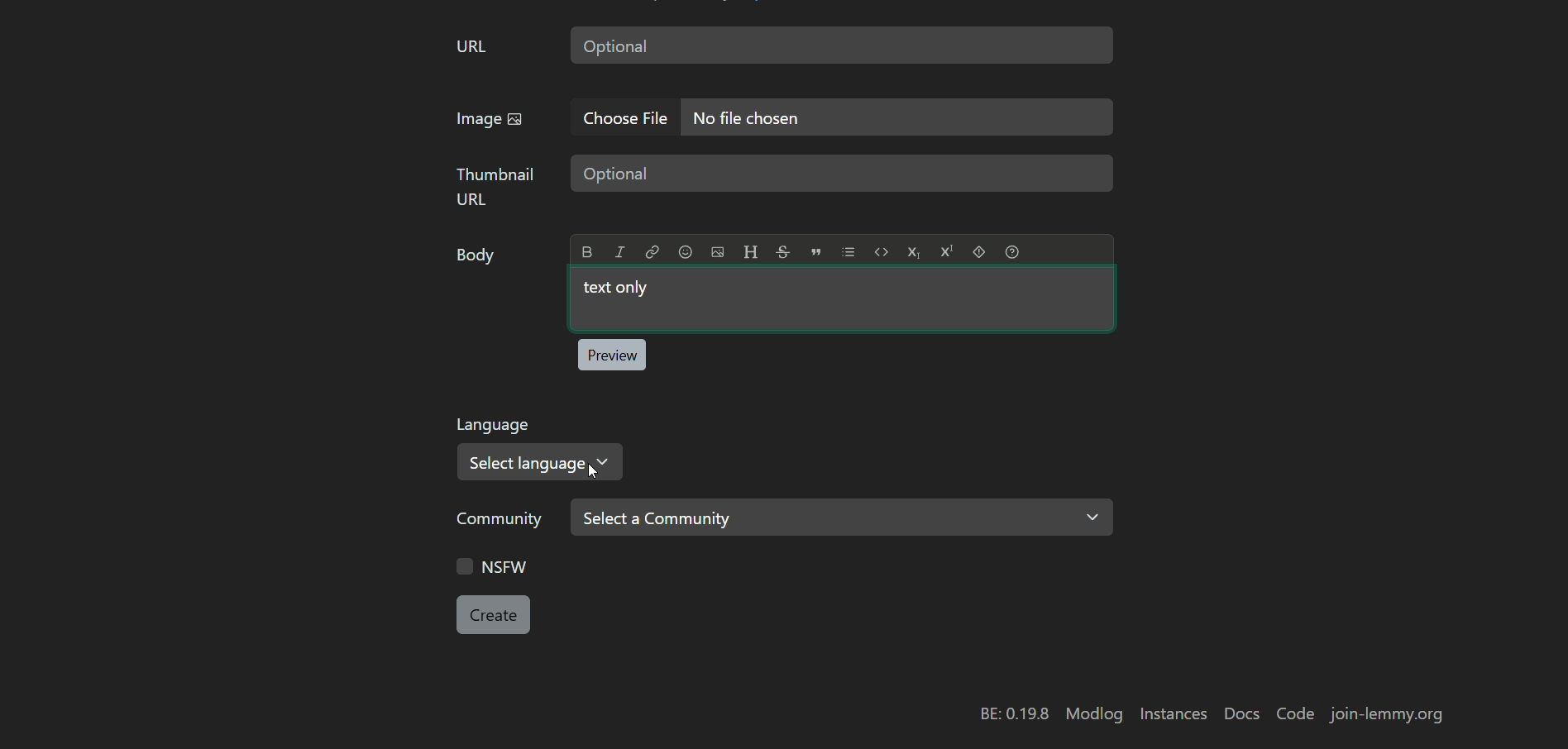 This screenshot has width=1568, height=749. Describe the element at coordinates (718, 252) in the screenshot. I see `Upload image` at that location.